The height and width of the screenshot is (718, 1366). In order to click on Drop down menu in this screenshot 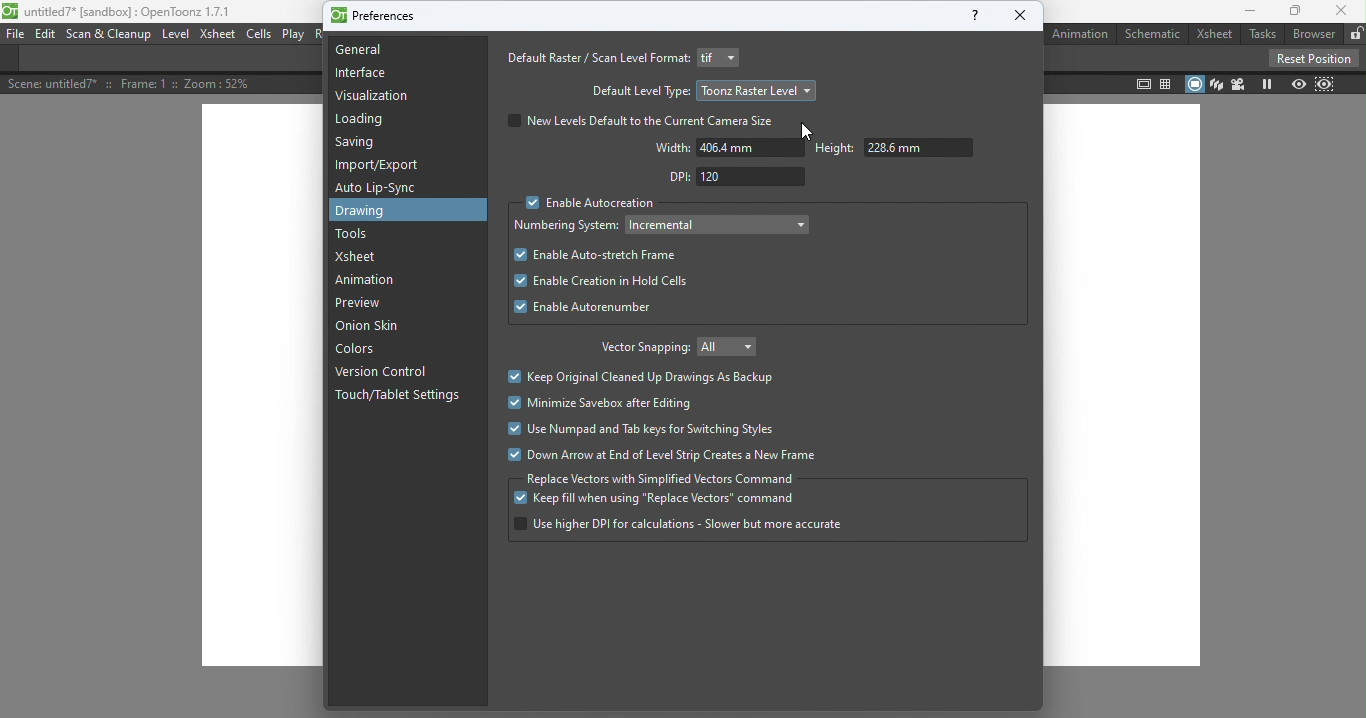, I will do `click(758, 92)`.